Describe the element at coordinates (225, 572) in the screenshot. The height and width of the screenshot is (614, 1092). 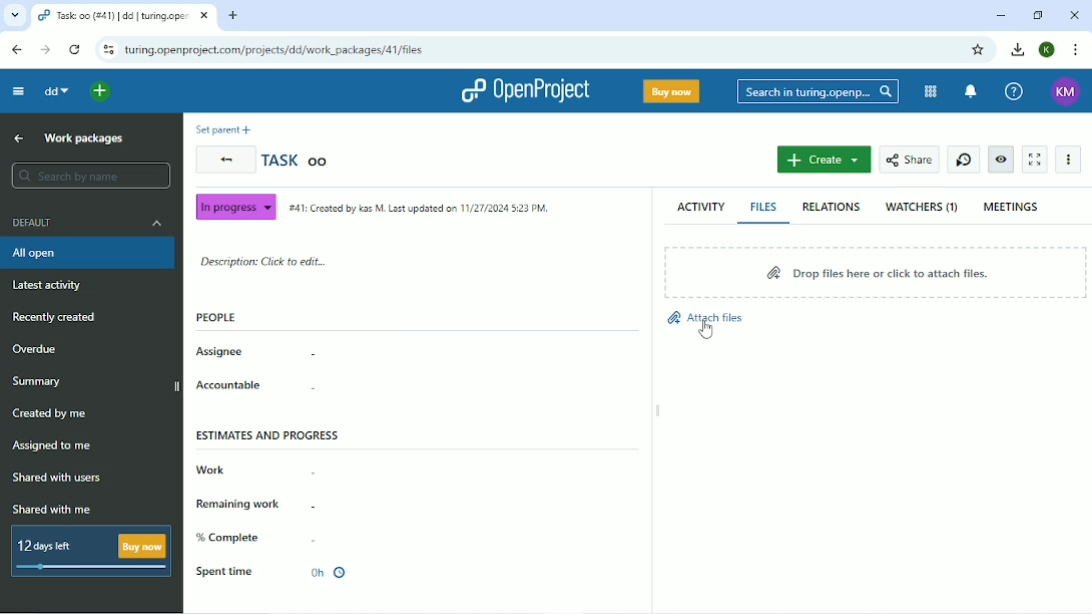
I see `Spent time` at that location.